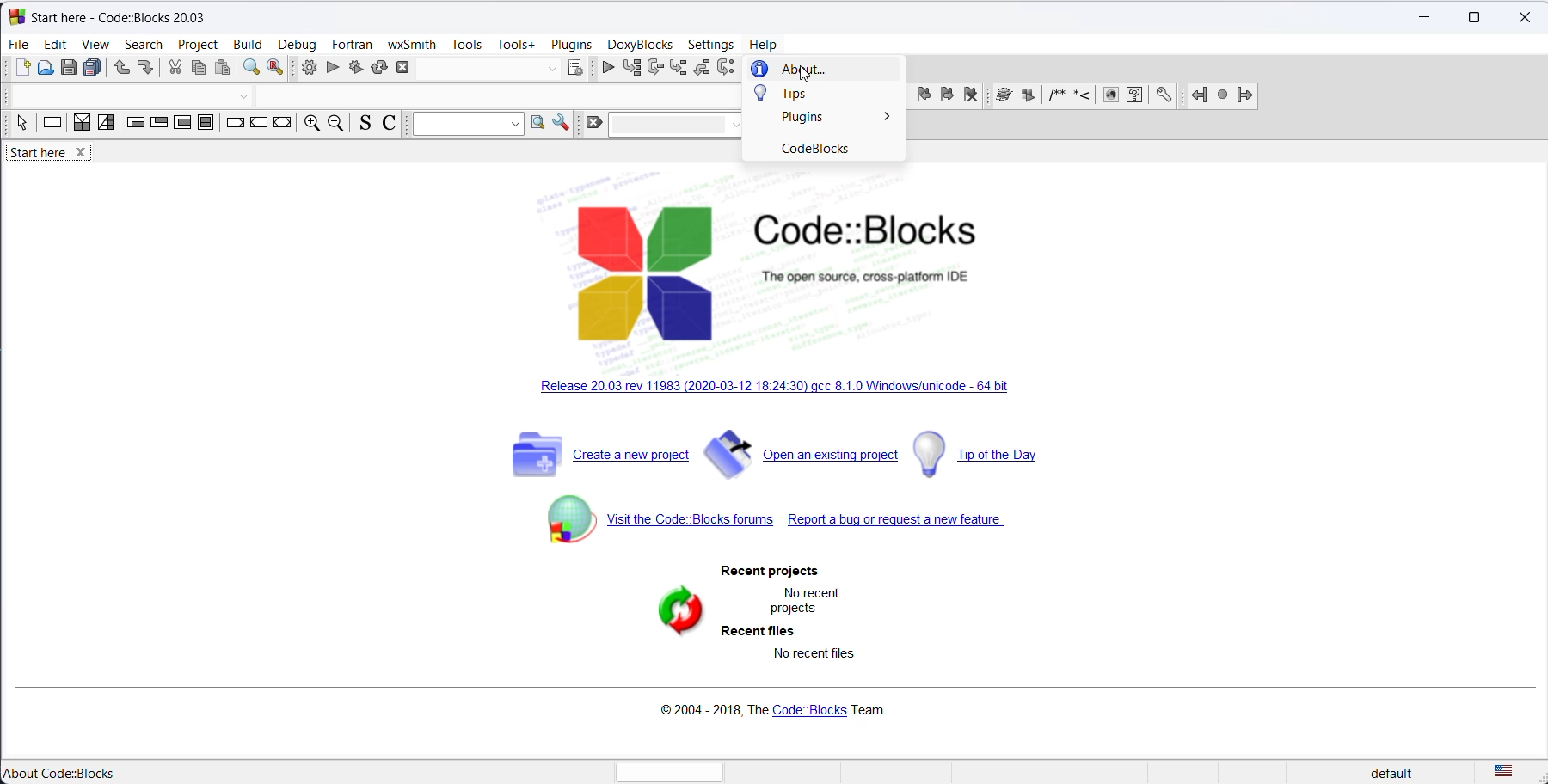 This screenshot has height=784, width=1548. Describe the element at coordinates (973, 97) in the screenshot. I see `remove bookmark` at that location.